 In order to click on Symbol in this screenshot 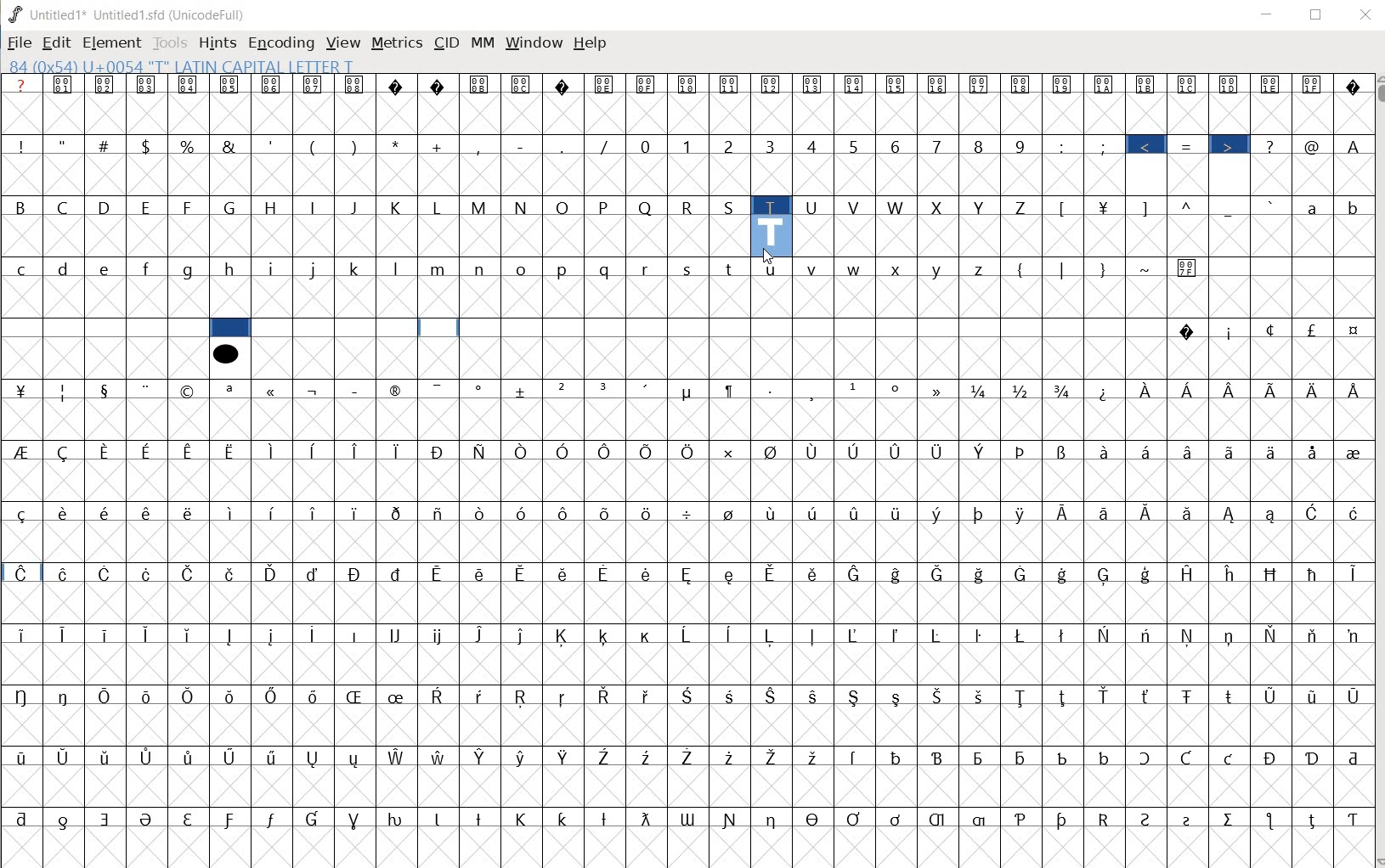, I will do `click(483, 451)`.